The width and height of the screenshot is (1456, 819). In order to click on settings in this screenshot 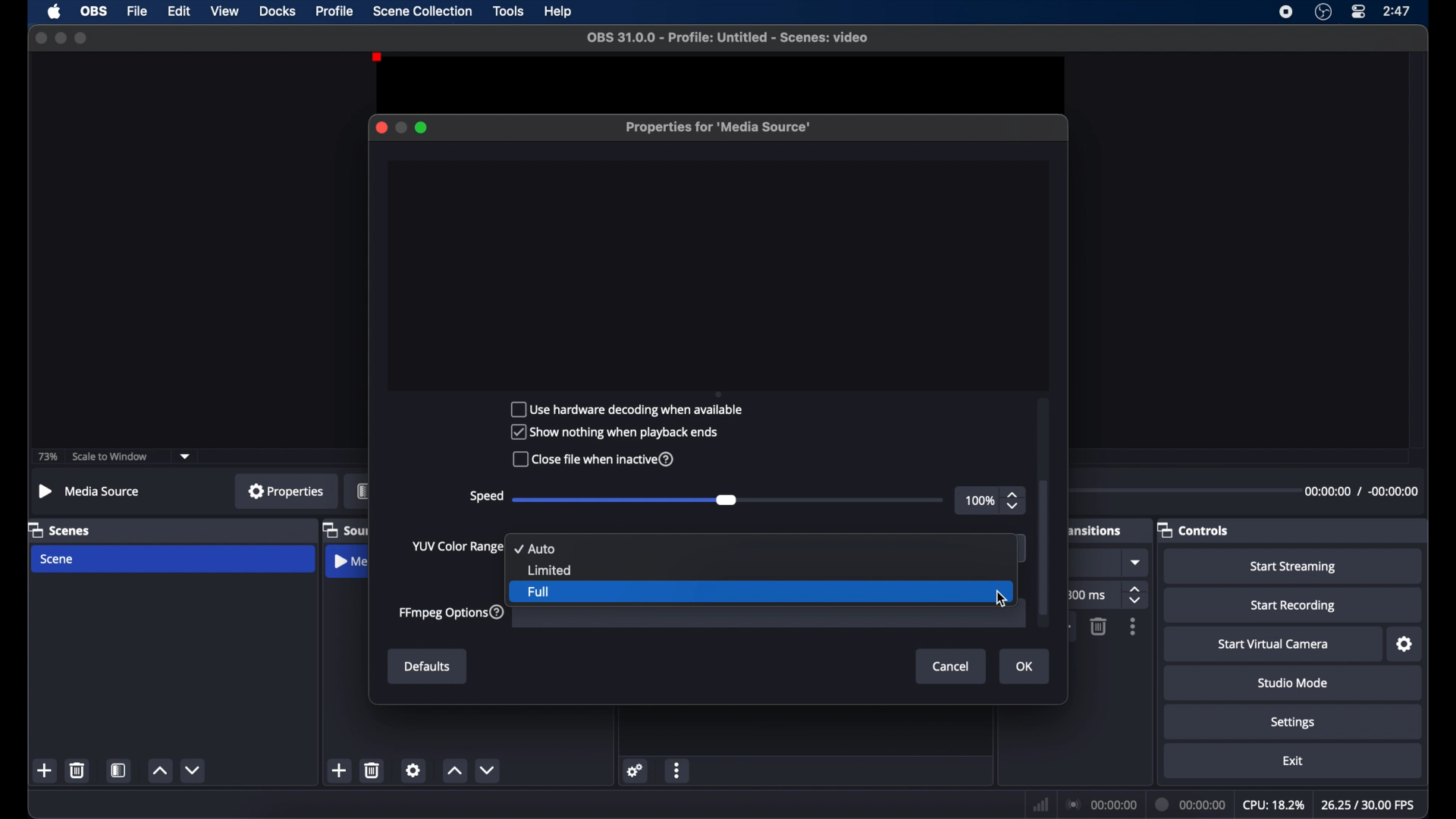, I will do `click(1404, 645)`.